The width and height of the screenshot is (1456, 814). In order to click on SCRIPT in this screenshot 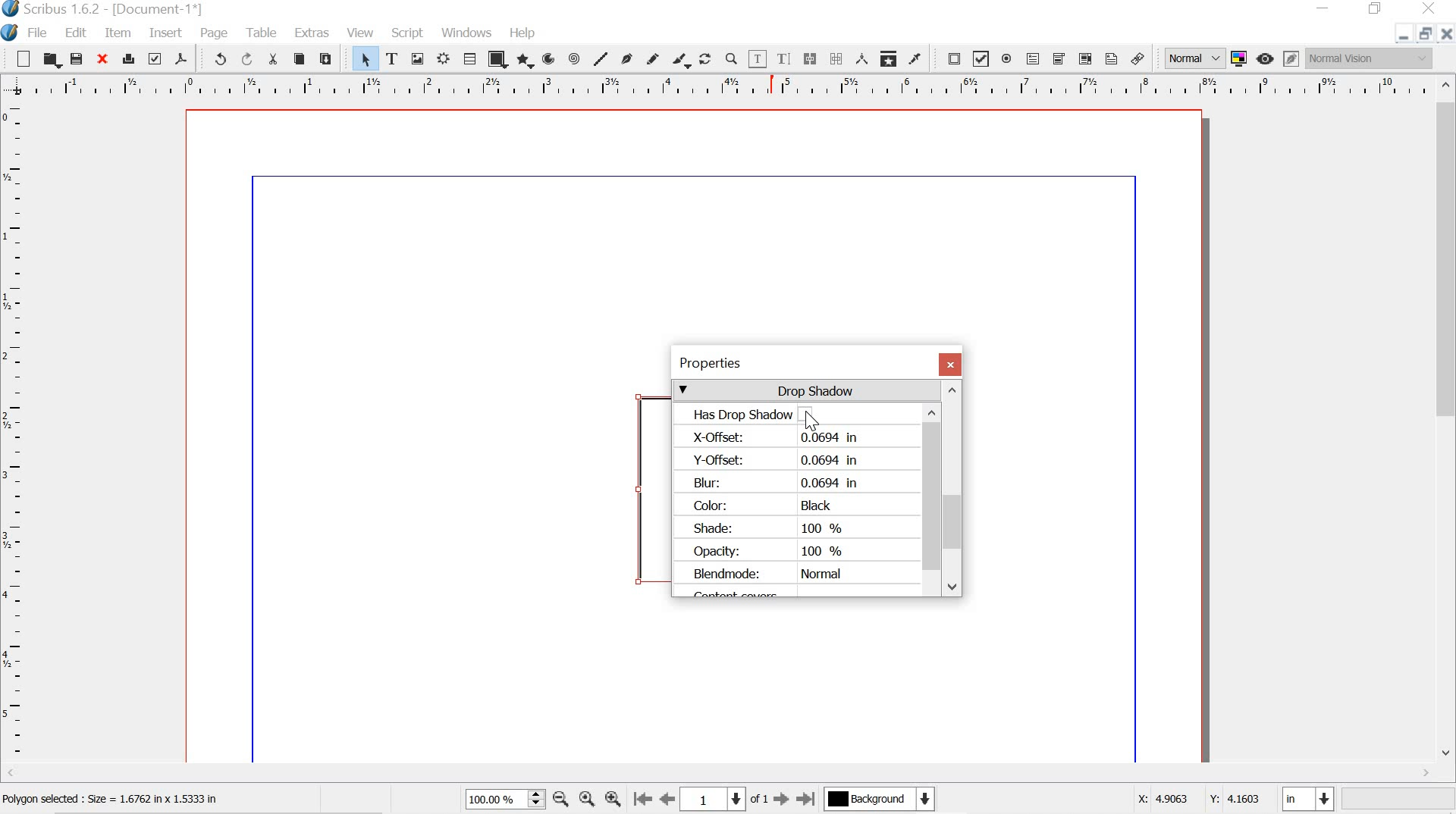, I will do `click(408, 31)`.